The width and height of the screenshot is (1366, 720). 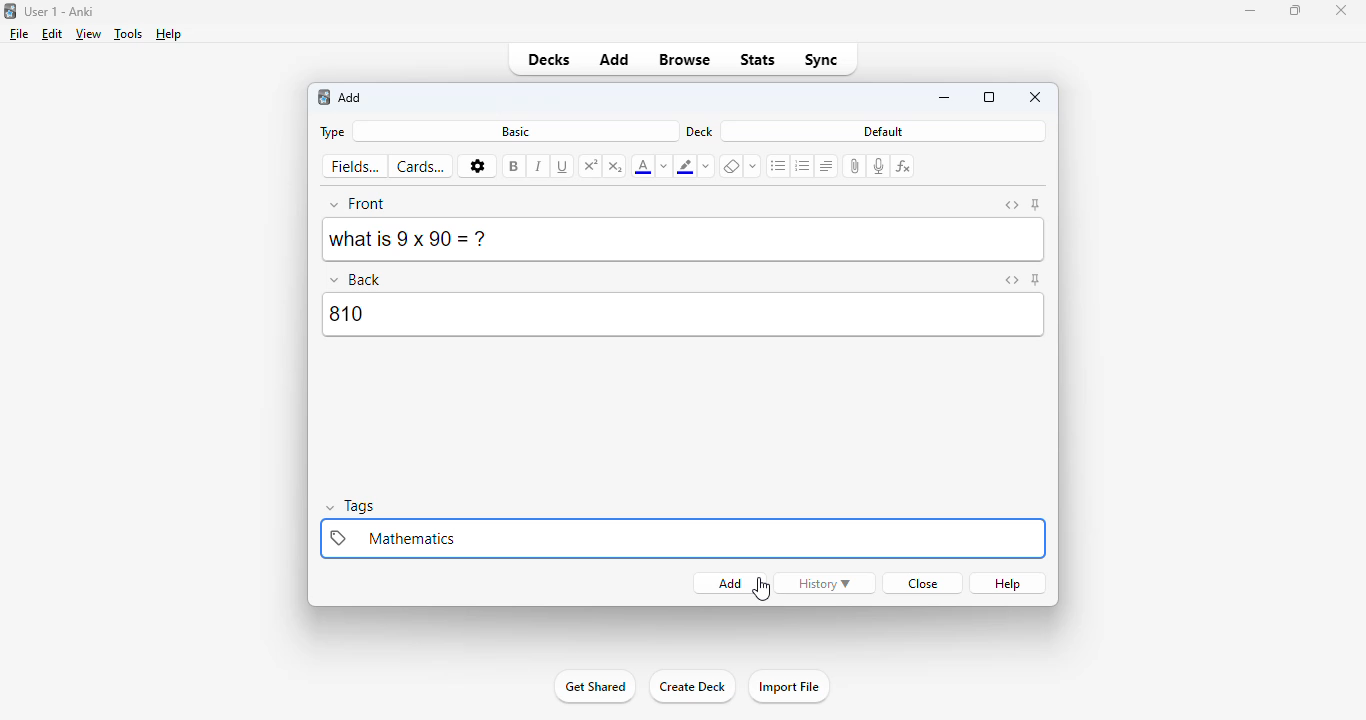 What do you see at coordinates (330, 132) in the screenshot?
I see `type` at bounding box center [330, 132].